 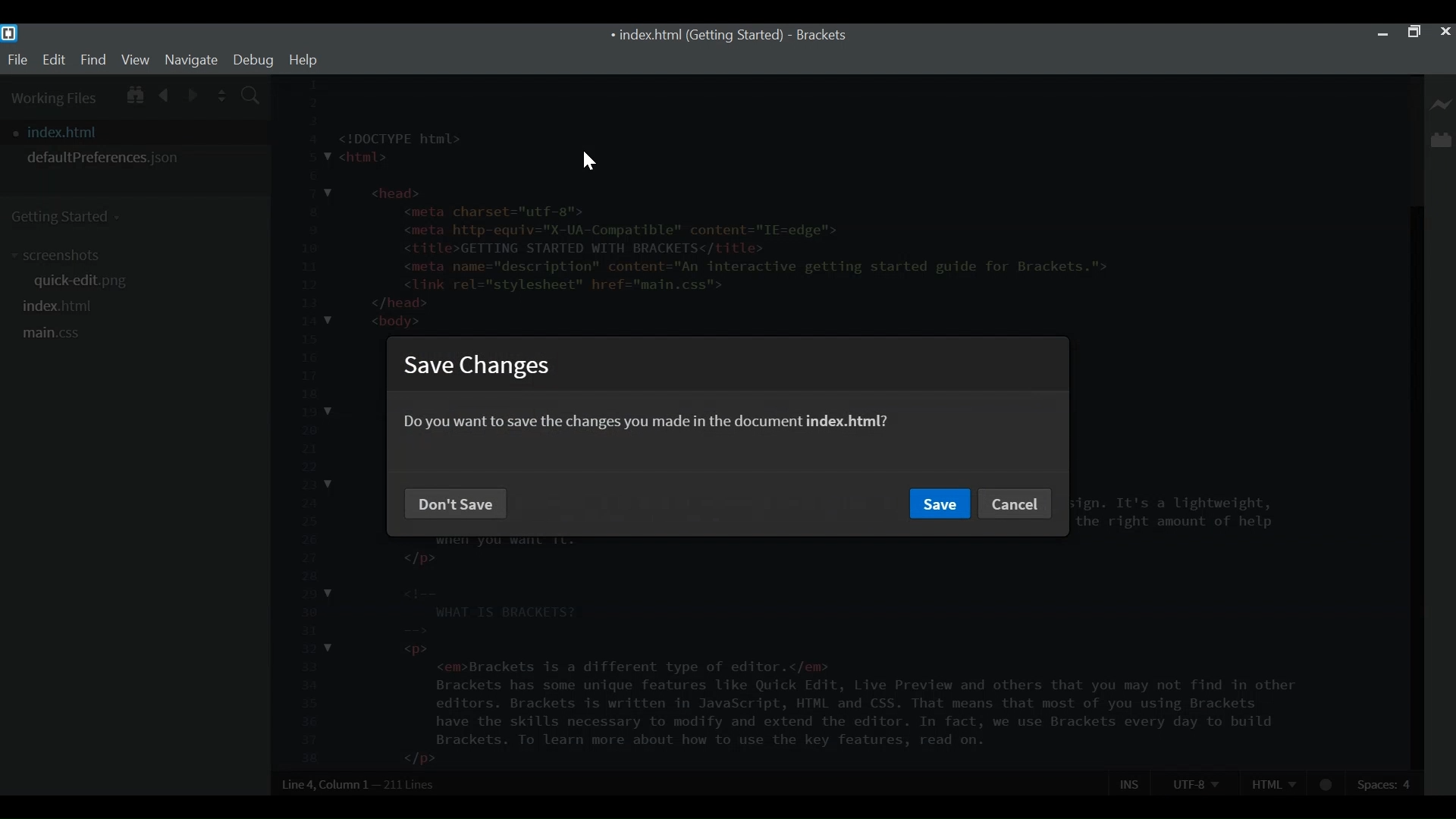 What do you see at coordinates (165, 93) in the screenshot?
I see `Navigate Backwards` at bounding box center [165, 93].